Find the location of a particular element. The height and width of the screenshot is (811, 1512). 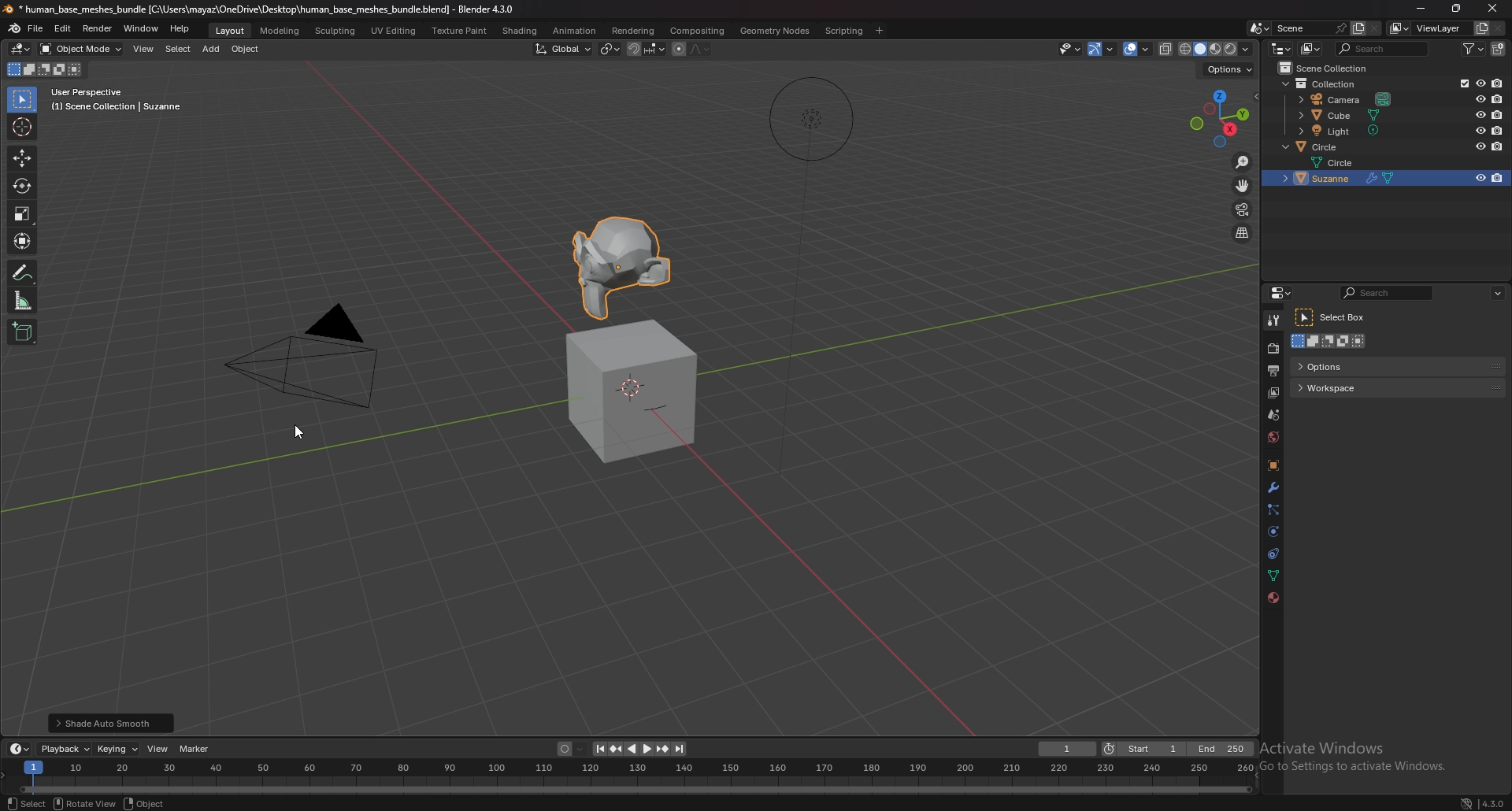

physics is located at coordinates (1275, 531).